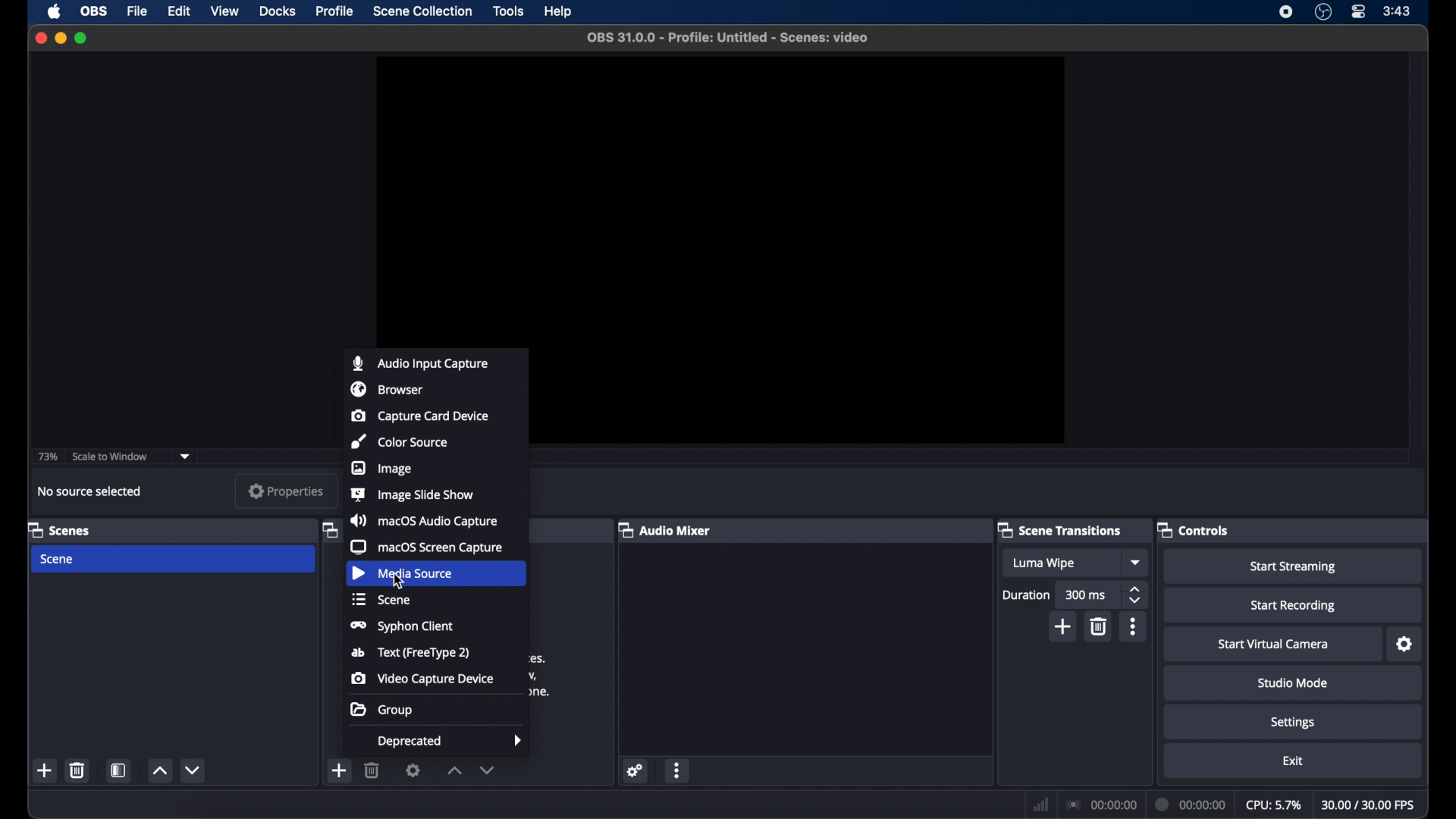 The width and height of the screenshot is (1456, 819). Describe the element at coordinates (1103, 805) in the screenshot. I see `00:00:00` at that location.